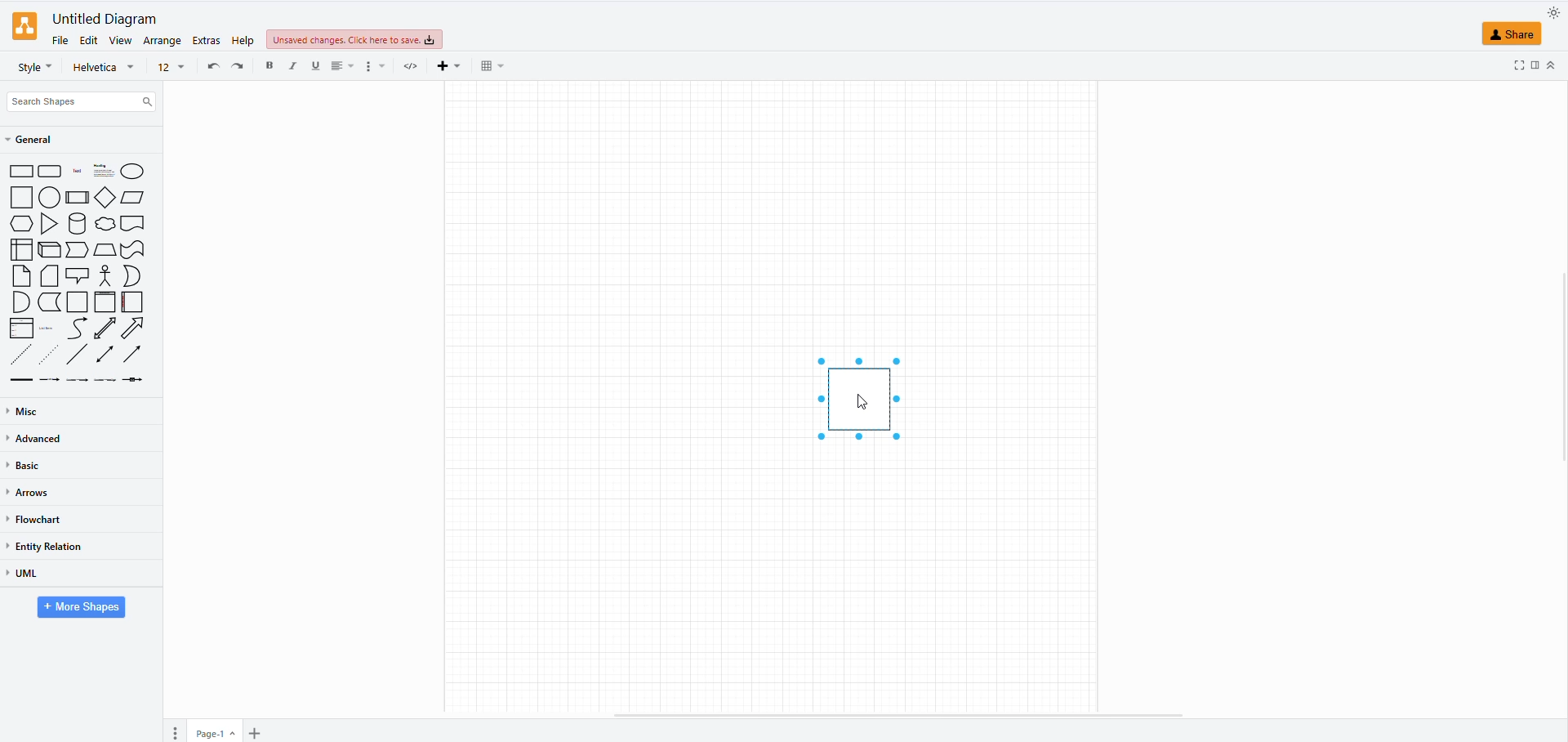  Describe the element at coordinates (49, 328) in the screenshot. I see `list item` at that location.